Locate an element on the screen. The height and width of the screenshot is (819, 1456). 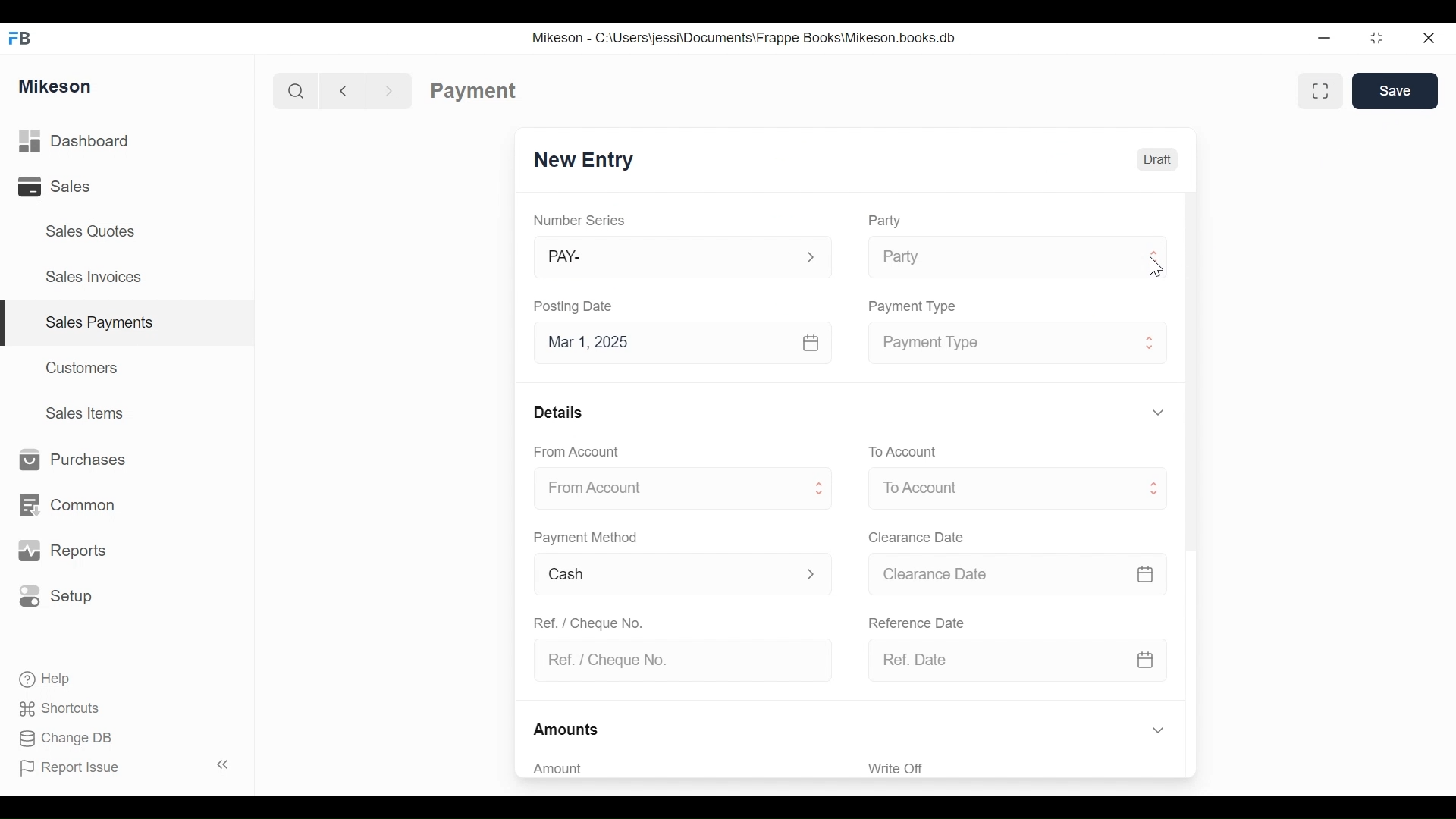
Full width toggle is located at coordinates (1318, 92).